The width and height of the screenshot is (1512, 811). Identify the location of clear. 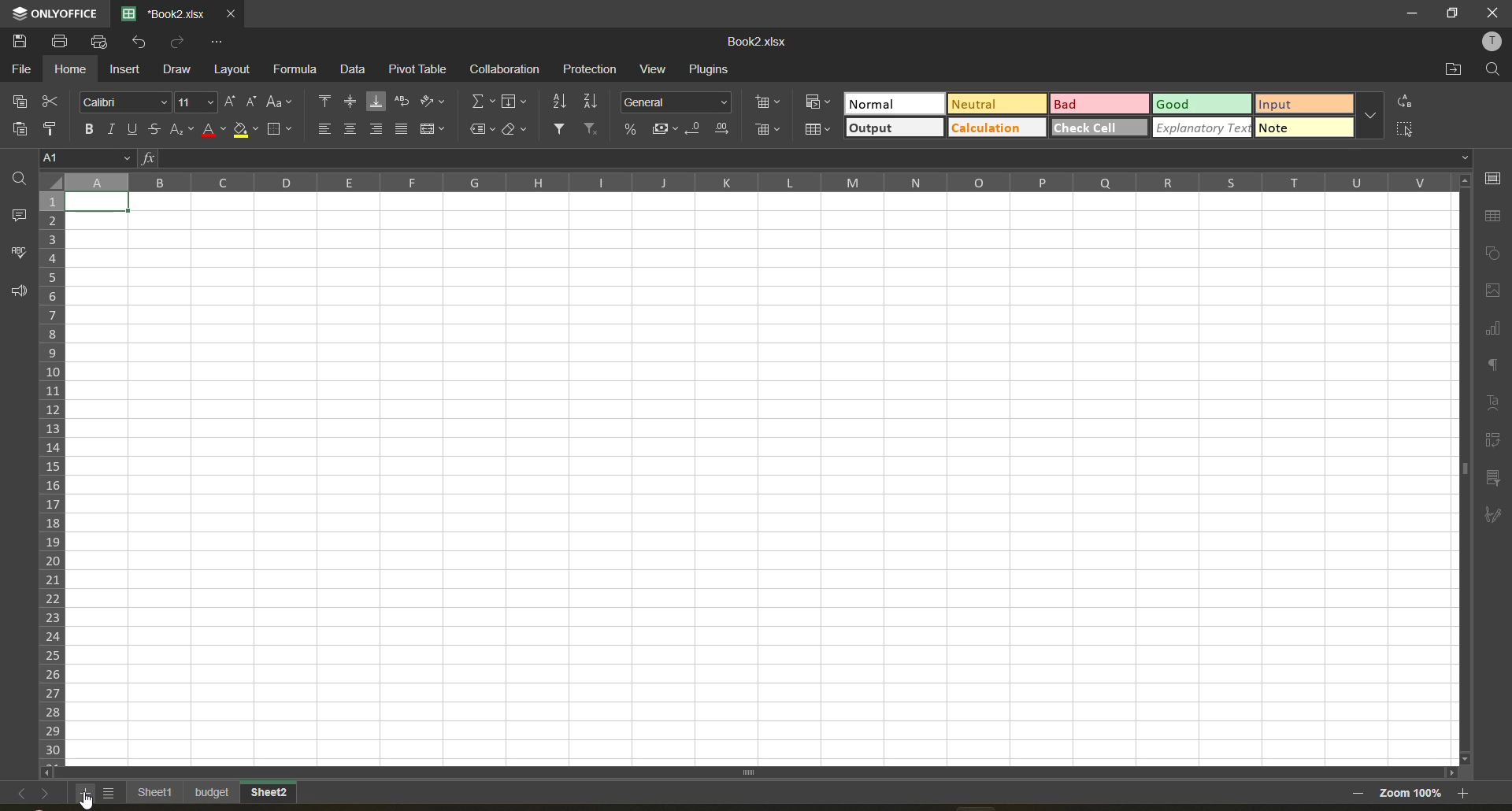
(515, 129).